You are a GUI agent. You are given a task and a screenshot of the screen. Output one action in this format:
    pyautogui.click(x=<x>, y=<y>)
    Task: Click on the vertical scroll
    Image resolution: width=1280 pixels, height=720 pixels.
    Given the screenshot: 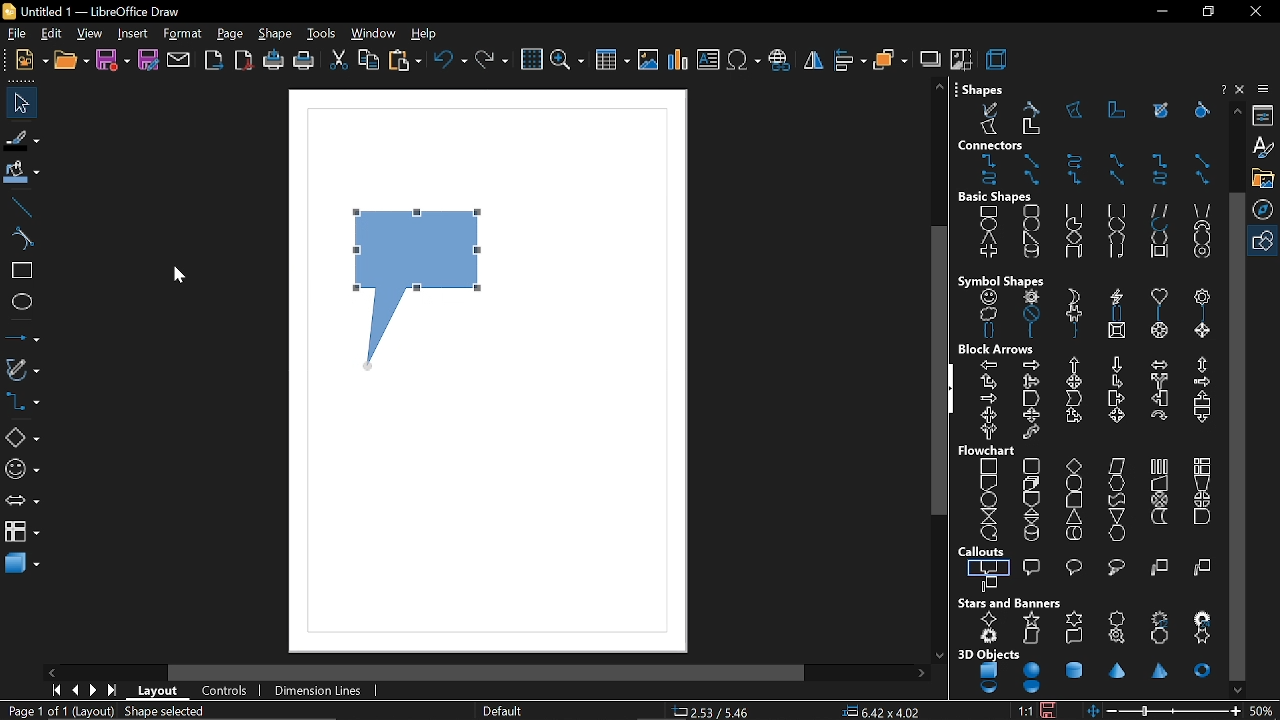 What is the action you would take?
    pyautogui.click(x=1031, y=637)
    